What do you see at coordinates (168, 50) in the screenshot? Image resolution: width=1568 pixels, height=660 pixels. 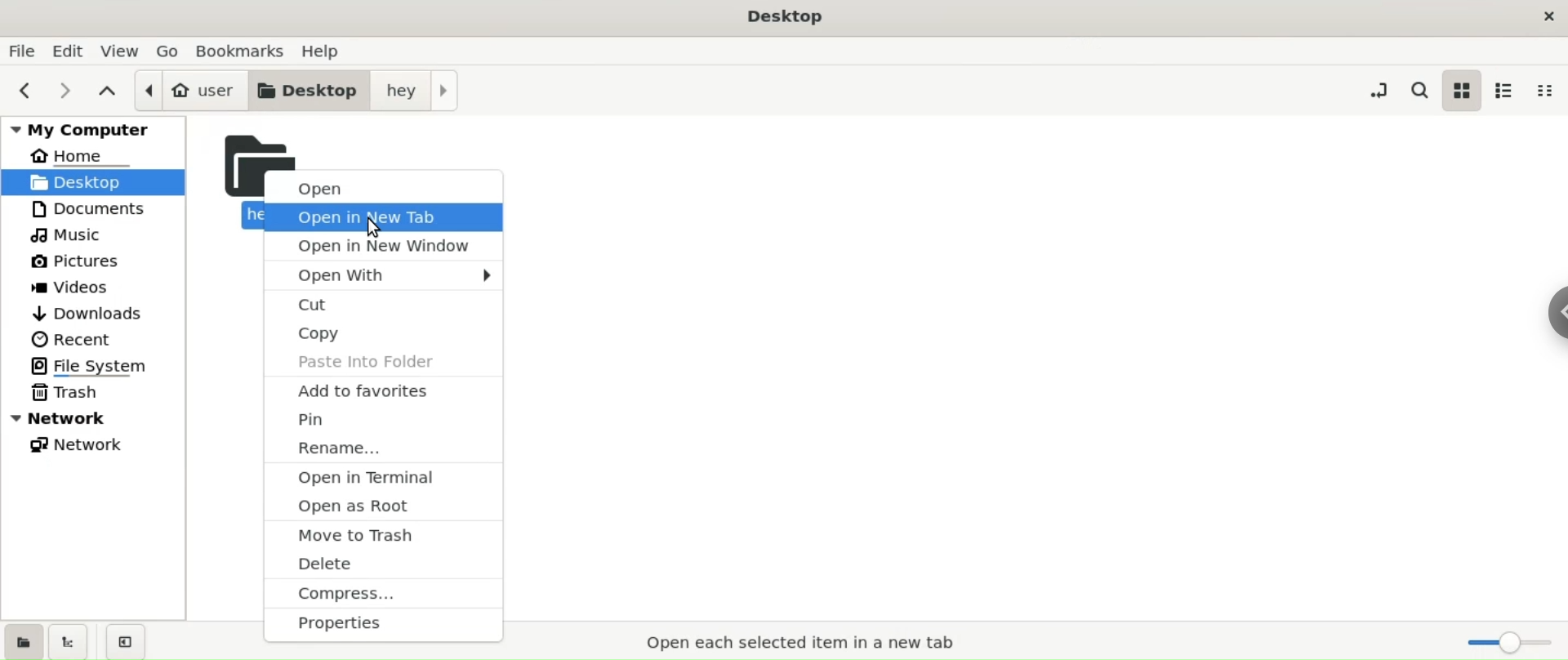 I see `go` at bounding box center [168, 50].